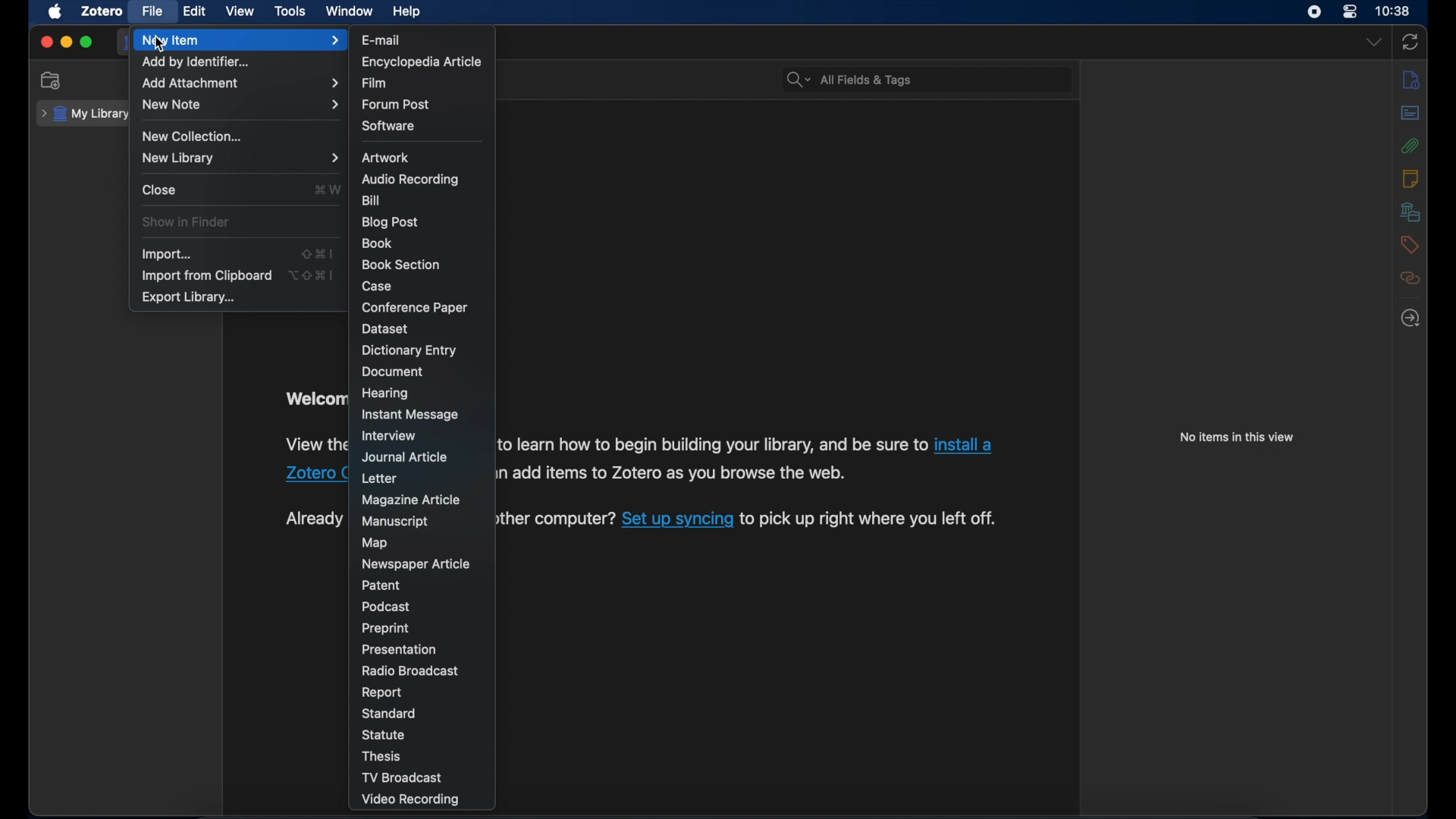 The height and width of the screenshot is (819, 1456). What do you see at coordinates (390, 714) in the screenshot?
I see `standard` at bounding box center [390, 714].